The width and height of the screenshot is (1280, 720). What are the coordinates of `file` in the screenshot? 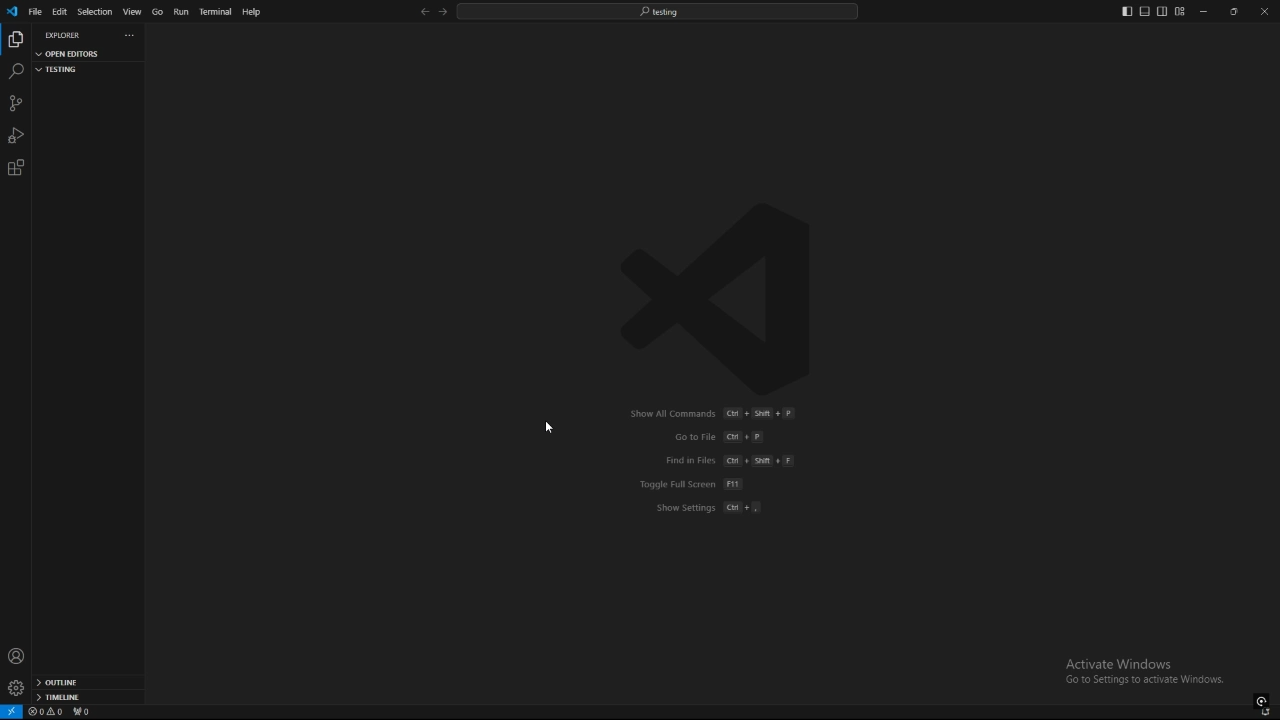 It's located at (35, 11).